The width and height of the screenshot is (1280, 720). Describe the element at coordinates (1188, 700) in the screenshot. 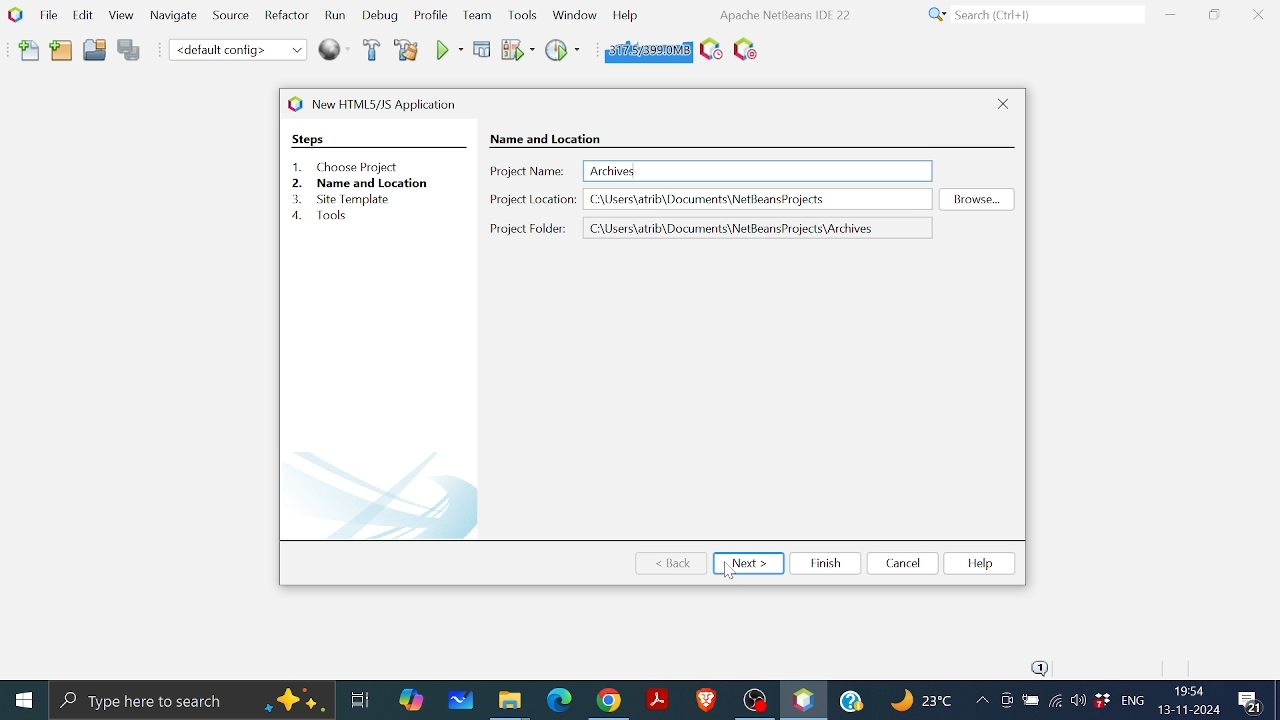

I see `Date and time` at that location.